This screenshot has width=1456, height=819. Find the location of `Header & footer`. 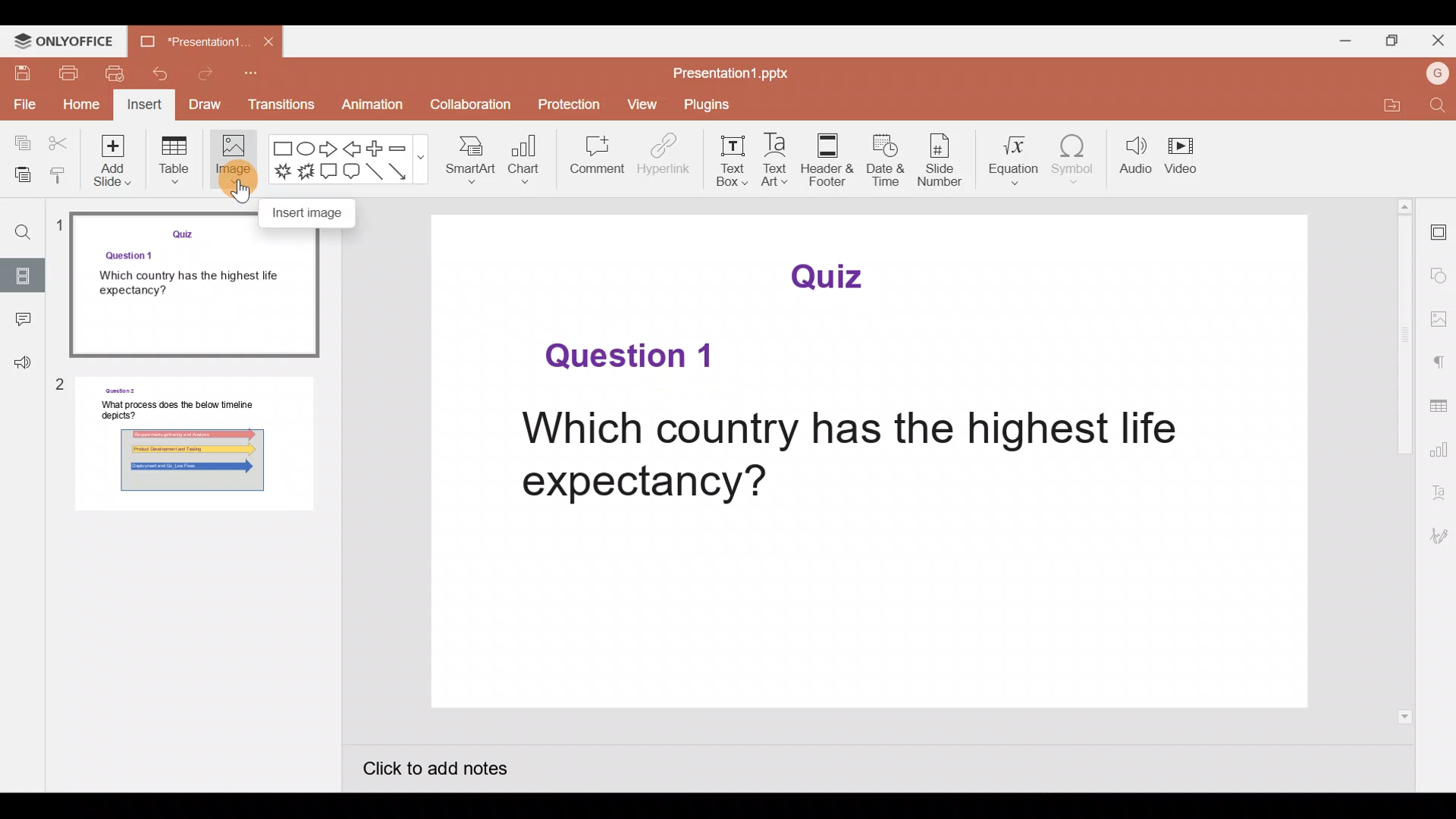

Header & footer is located at coordinates (827, 155).